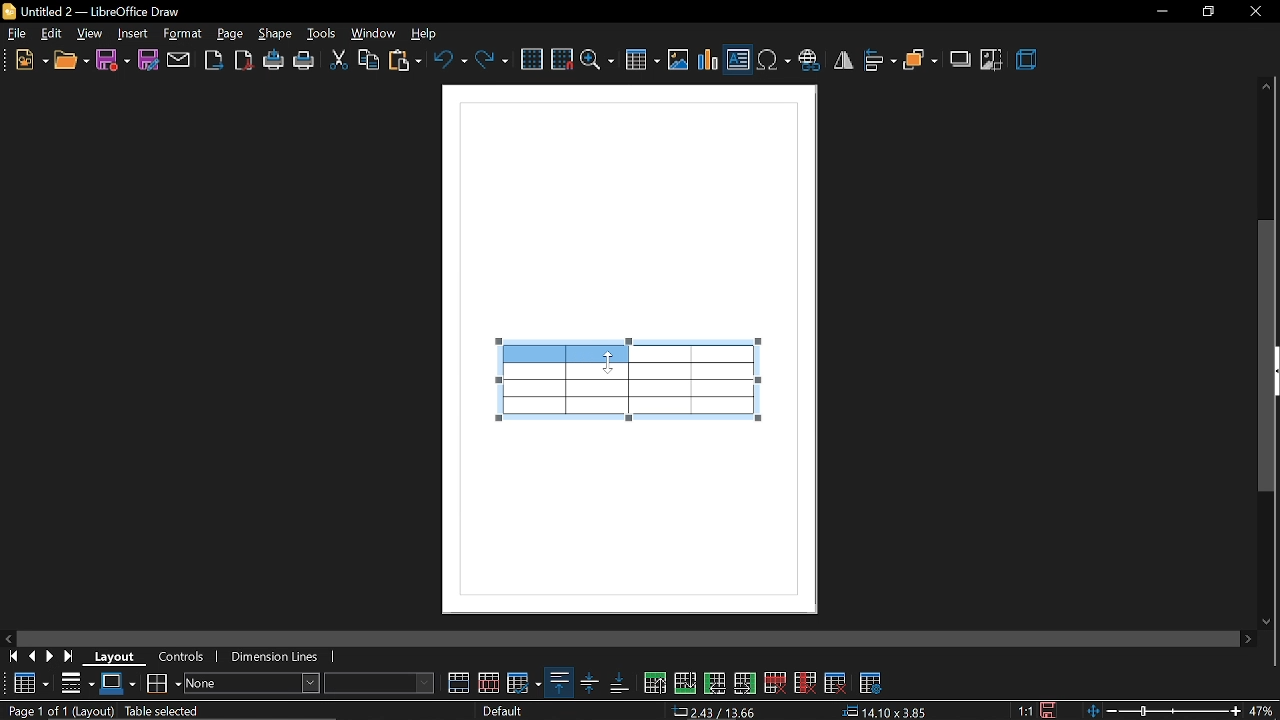 The height and width of the screenshot is (720, 1280). What do you see at coordinates (1205, 13) in the screenshot?
I see `Restore down` at bounding box center [1205, 13].